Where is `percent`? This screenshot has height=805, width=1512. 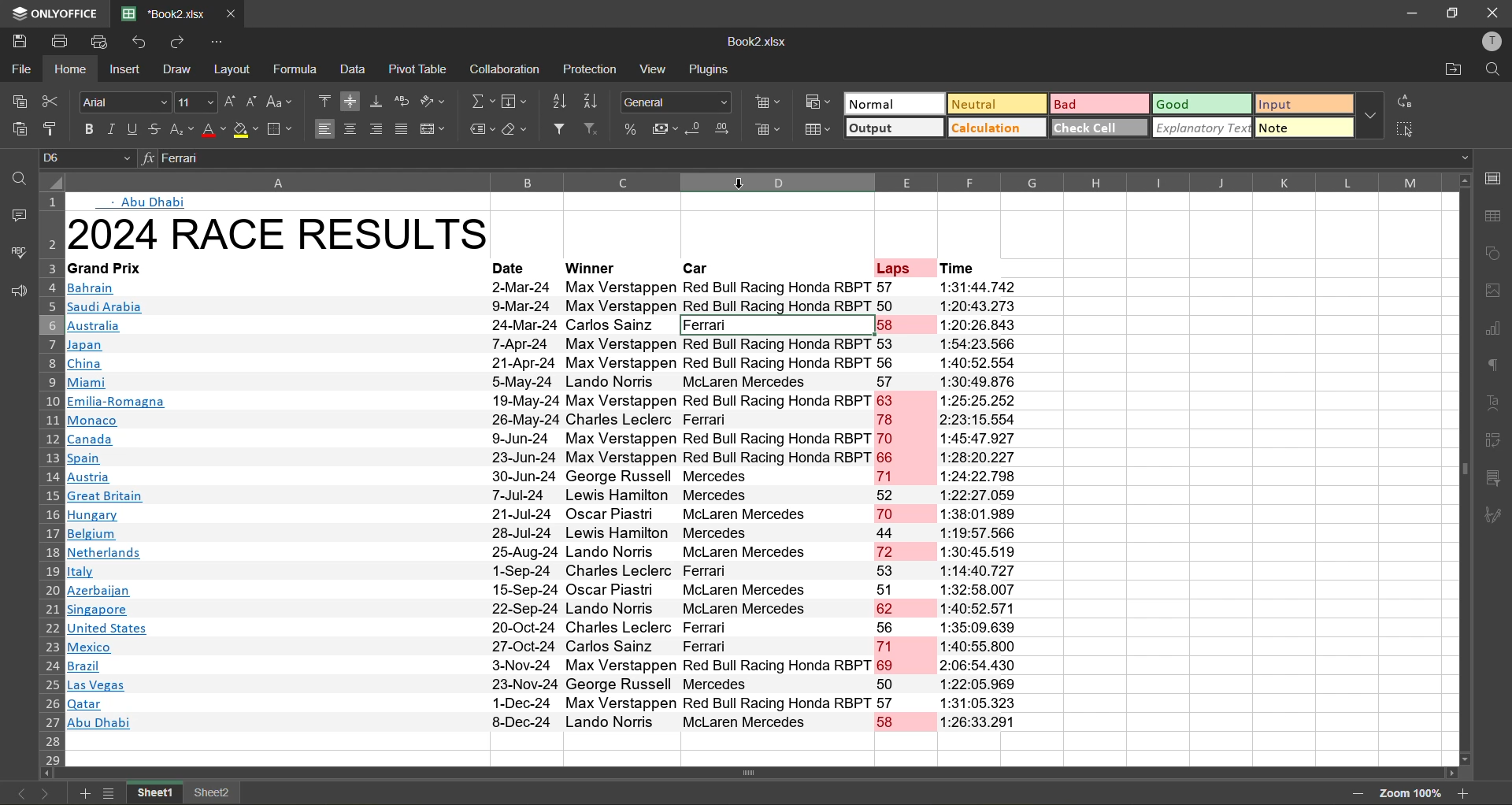 percent is located at coordinates (630, 129).